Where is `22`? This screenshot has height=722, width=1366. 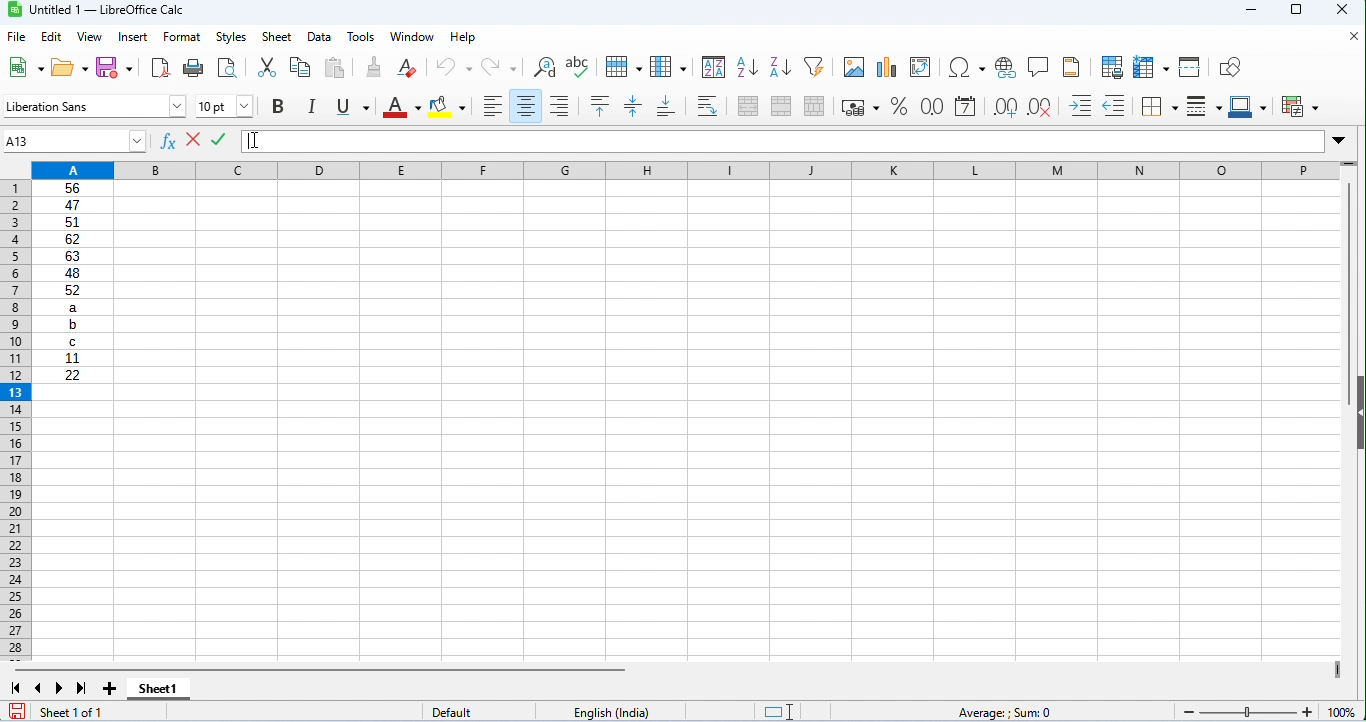
22 is located at coordinates (73, 374).